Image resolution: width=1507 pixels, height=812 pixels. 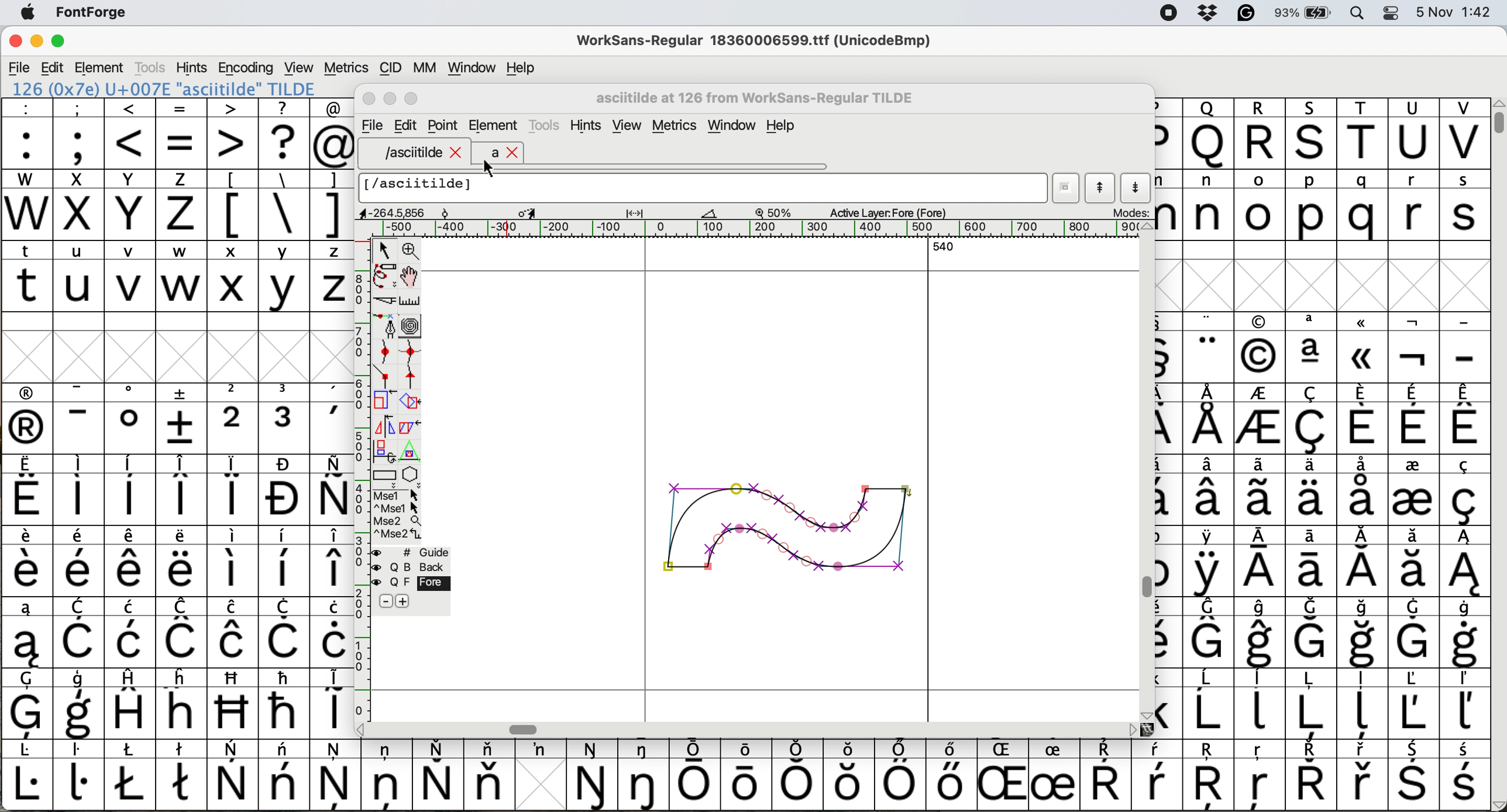 I want to click on fore, so click(x=412, y=583).